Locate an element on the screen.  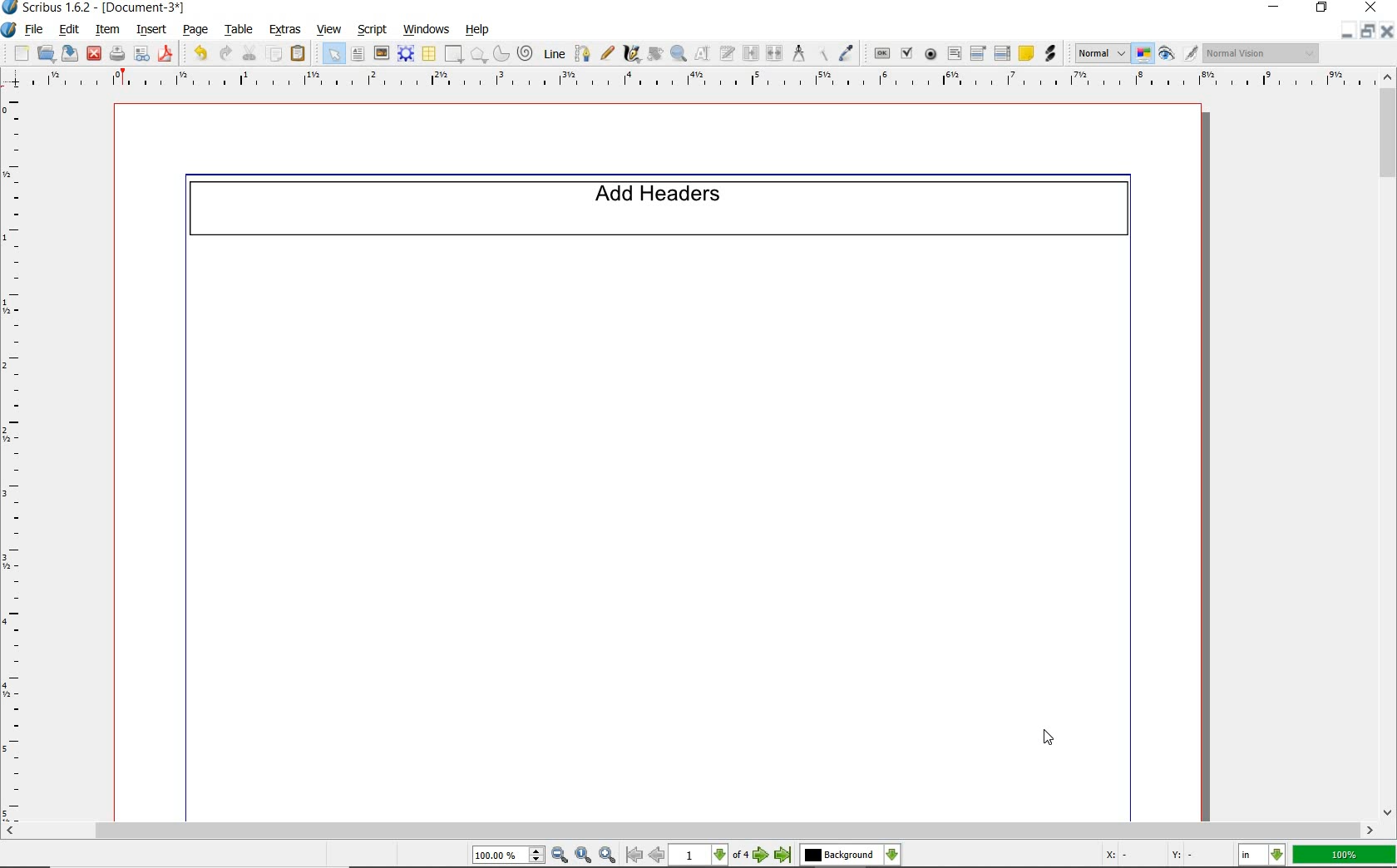
zoom in is located at coordinates (607, 856).